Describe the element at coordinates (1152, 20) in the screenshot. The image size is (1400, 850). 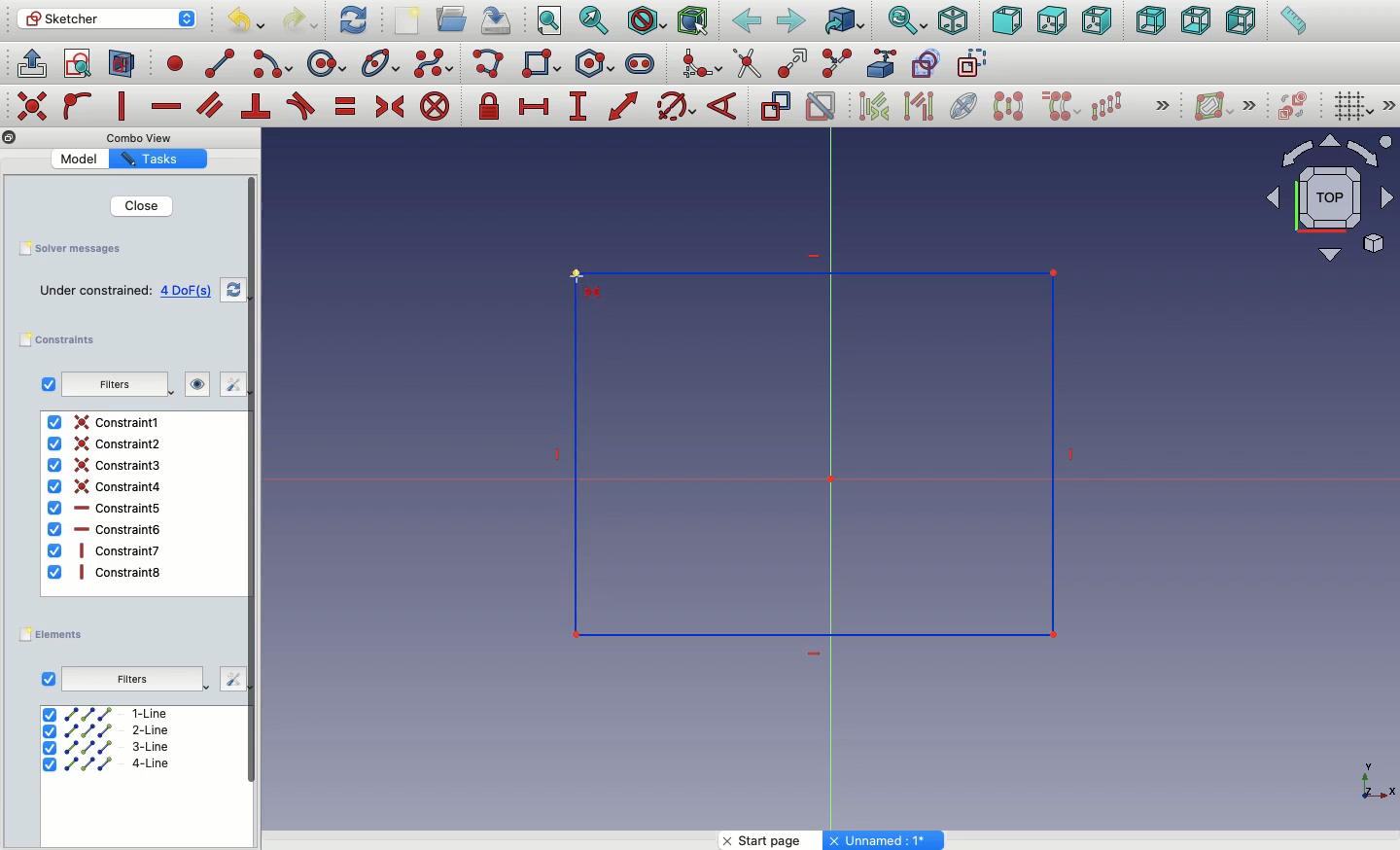
I see `Back` at that location.